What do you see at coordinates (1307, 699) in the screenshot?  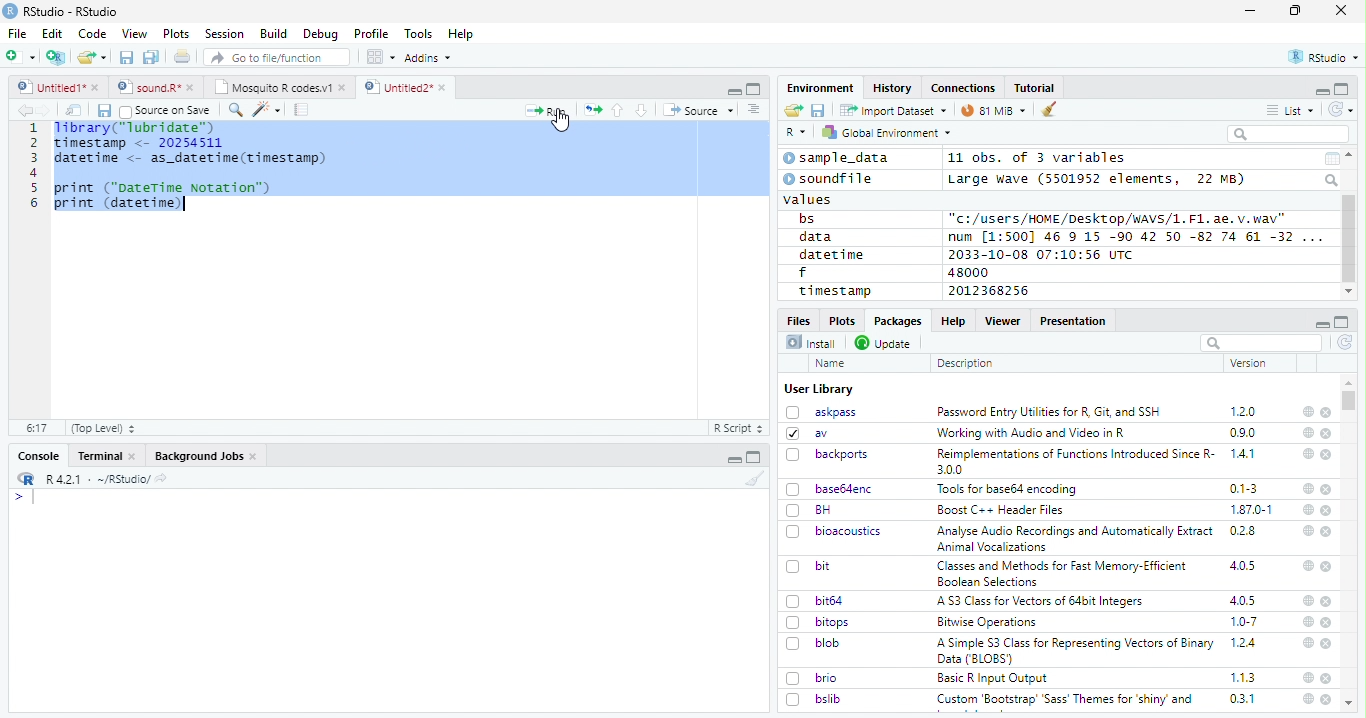 I see `help` at bounding box center [1307, 699].